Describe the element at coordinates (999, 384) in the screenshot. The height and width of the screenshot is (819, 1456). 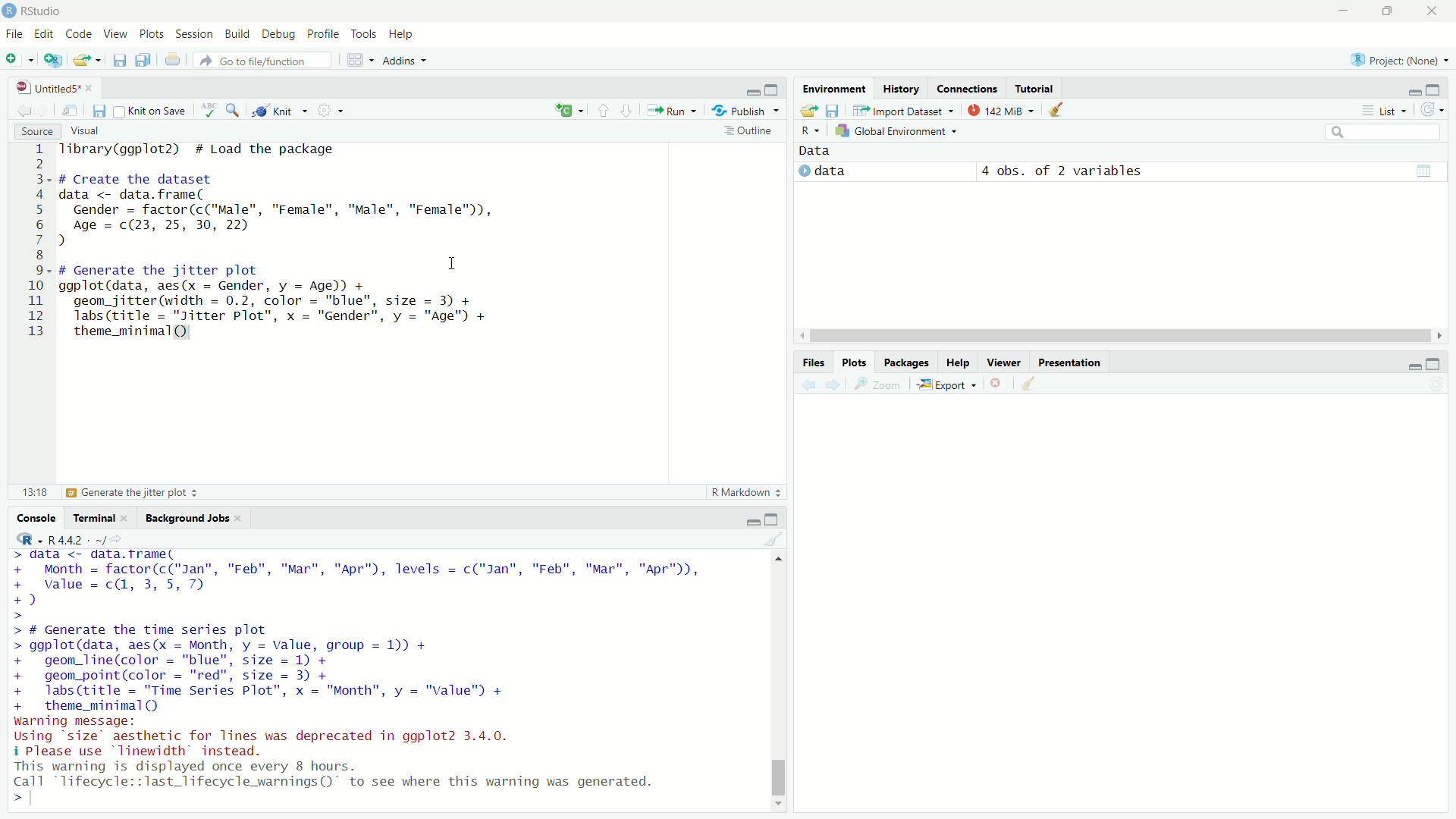
I see `remove the current plot` at that location.